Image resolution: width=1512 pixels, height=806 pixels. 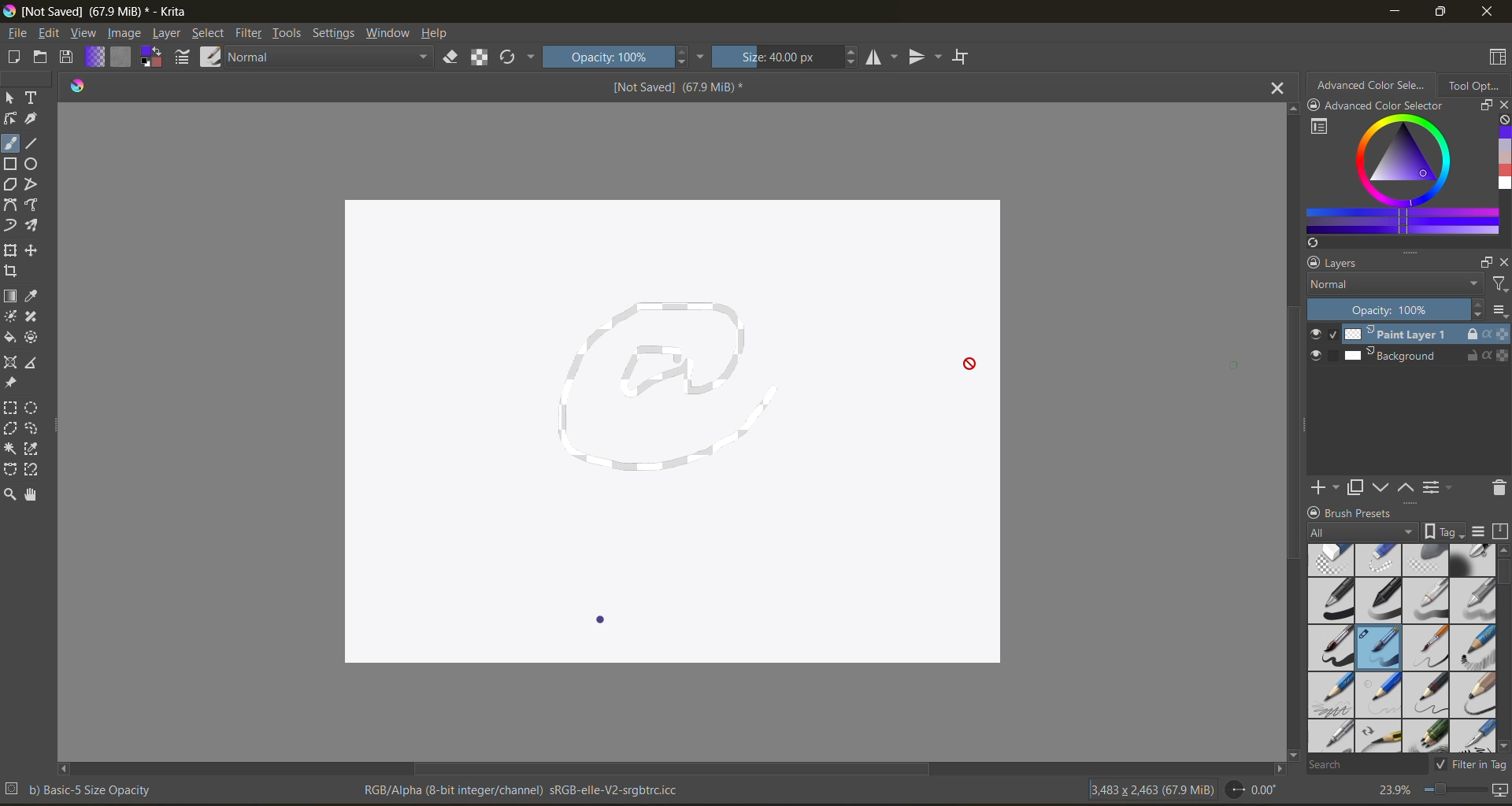 What do you see at coordinates (1503, 575) in the screenshot?
I see `vertical scroll bar` at bounding box center [1503, 575].